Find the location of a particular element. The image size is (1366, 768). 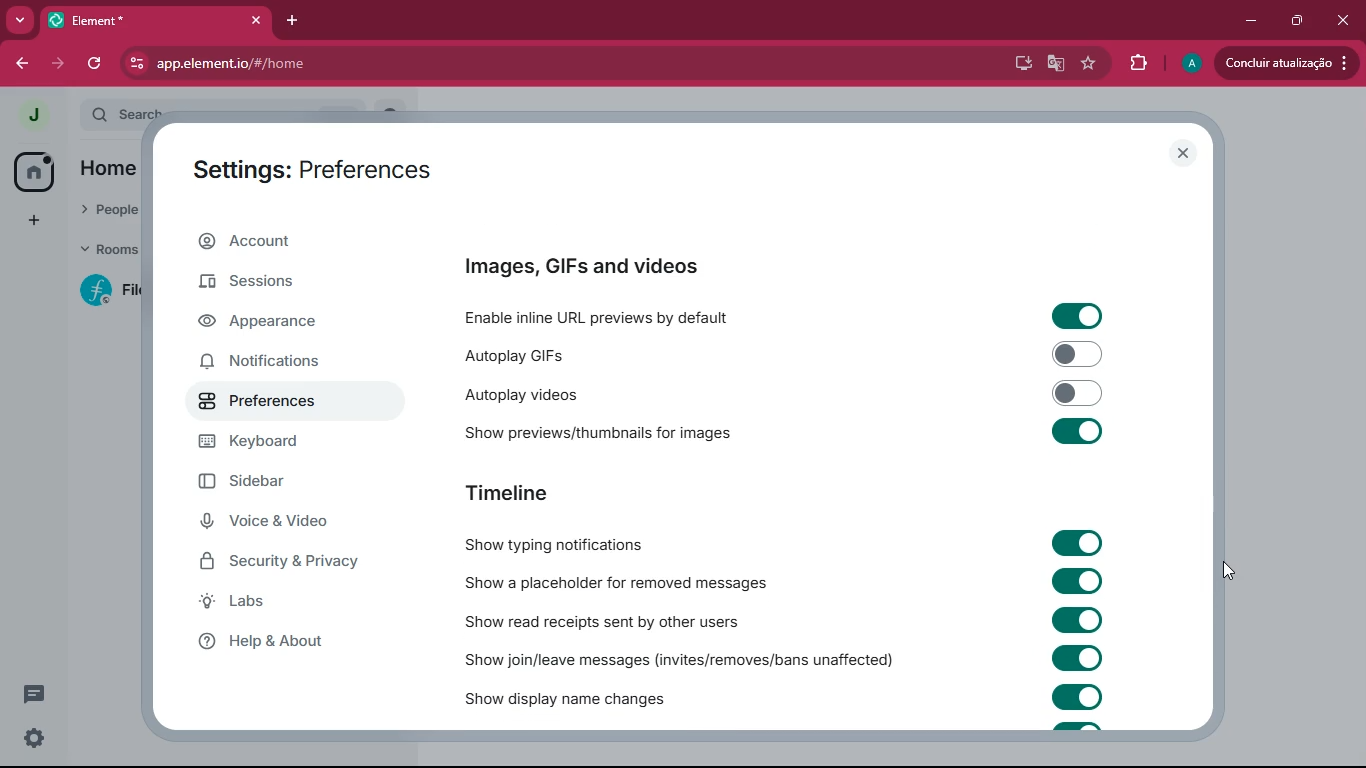

google translate is located at coordinates (1056, 63).